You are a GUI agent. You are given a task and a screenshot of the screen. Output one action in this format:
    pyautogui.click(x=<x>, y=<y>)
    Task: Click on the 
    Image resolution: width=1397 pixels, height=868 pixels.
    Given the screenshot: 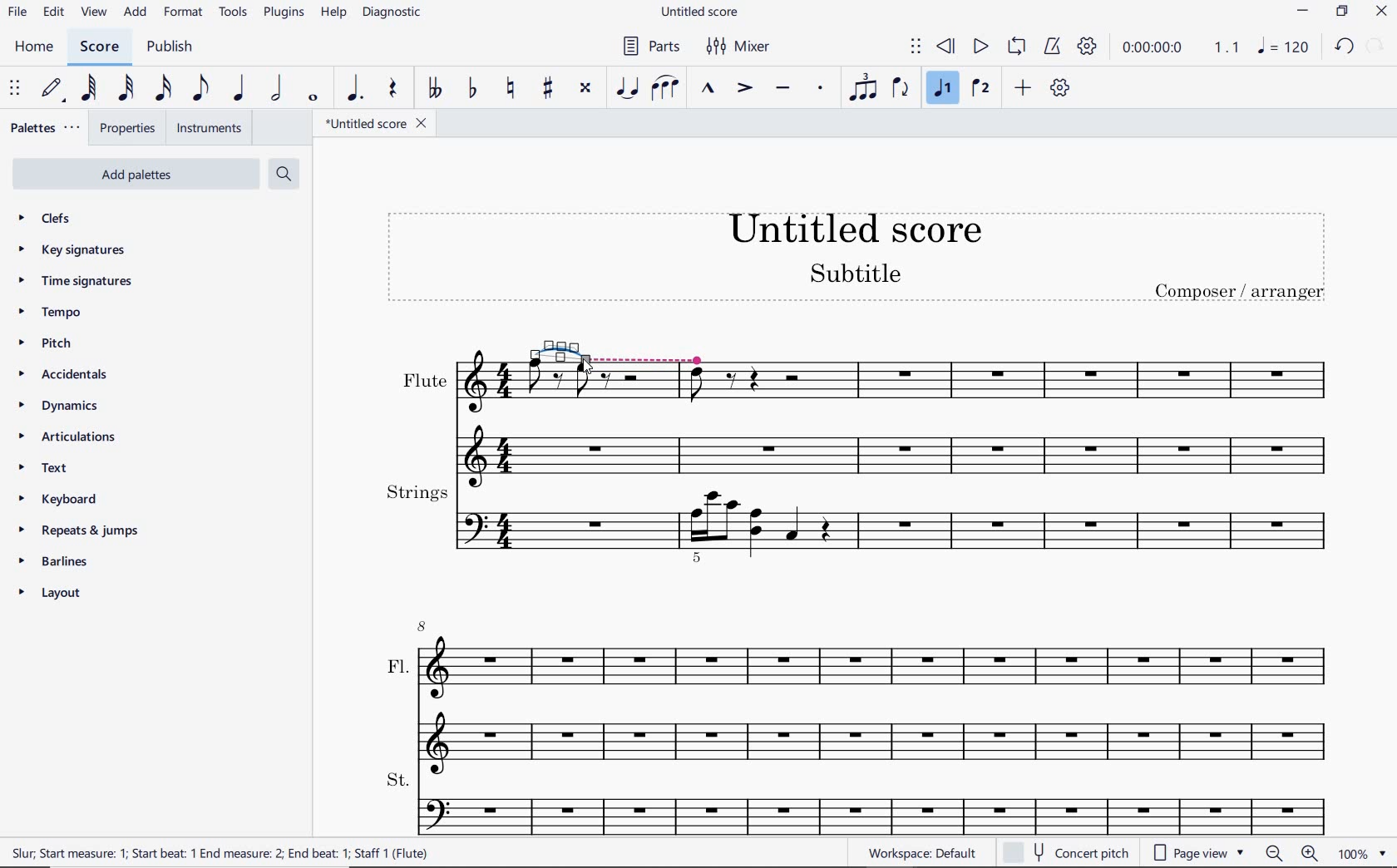 What is the action you would take?
    pyautogui.click(x=448, y=411)
    